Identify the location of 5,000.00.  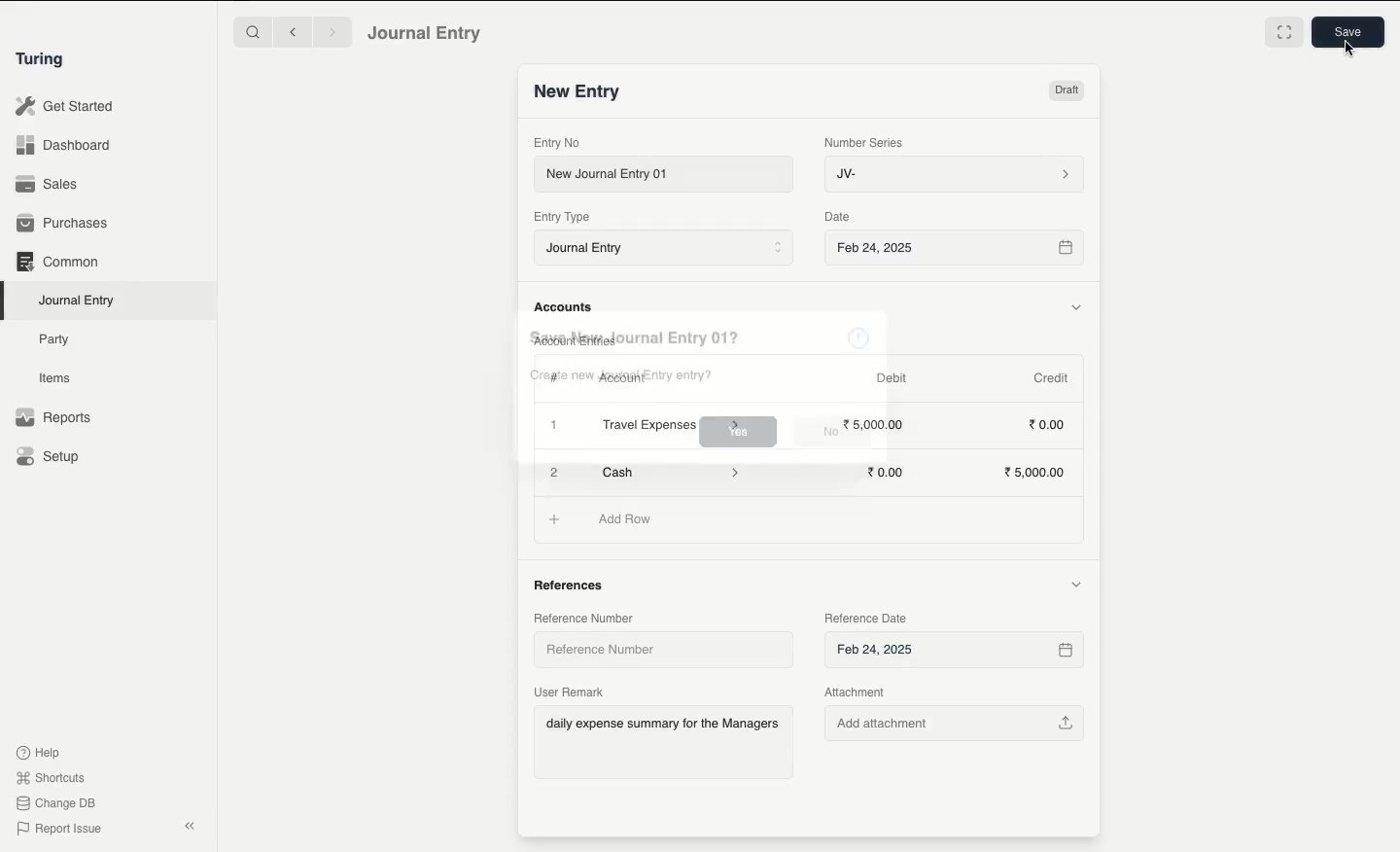
(1039, 473).